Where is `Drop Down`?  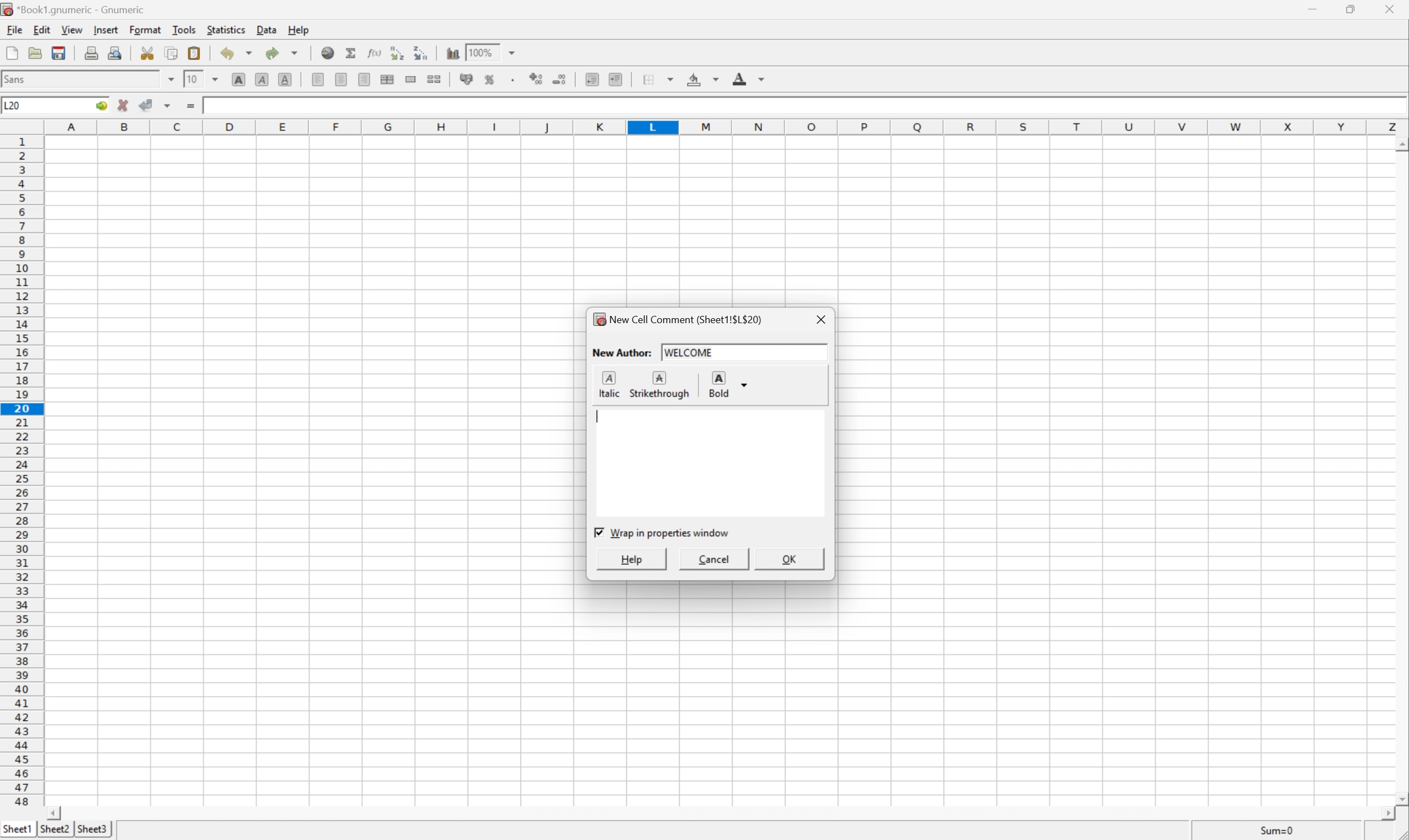 Drop Down is located at coordinates (170, 78).